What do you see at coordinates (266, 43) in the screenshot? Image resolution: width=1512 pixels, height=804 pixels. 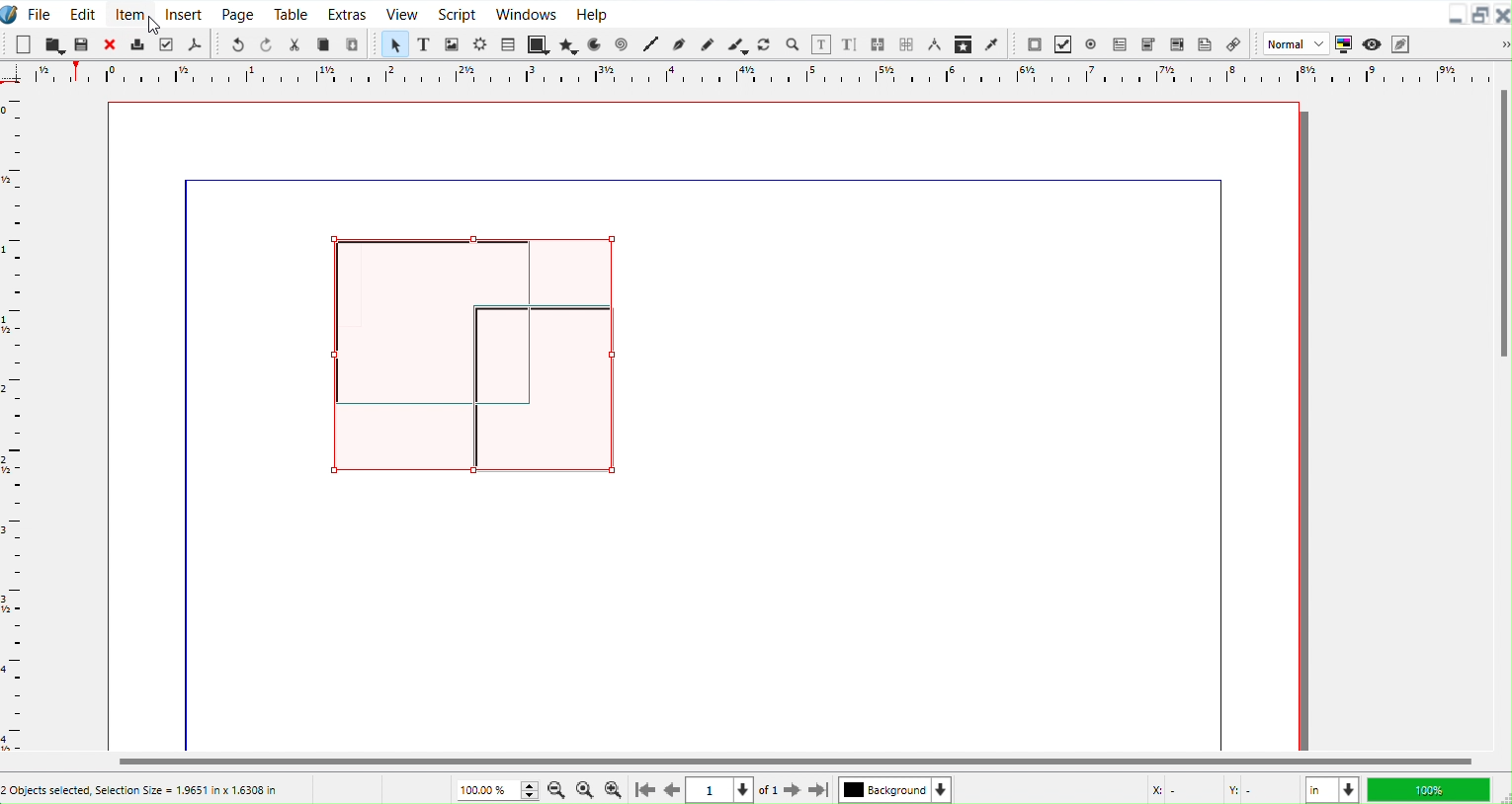 I see `Redo` at bounding box center [266, 43].